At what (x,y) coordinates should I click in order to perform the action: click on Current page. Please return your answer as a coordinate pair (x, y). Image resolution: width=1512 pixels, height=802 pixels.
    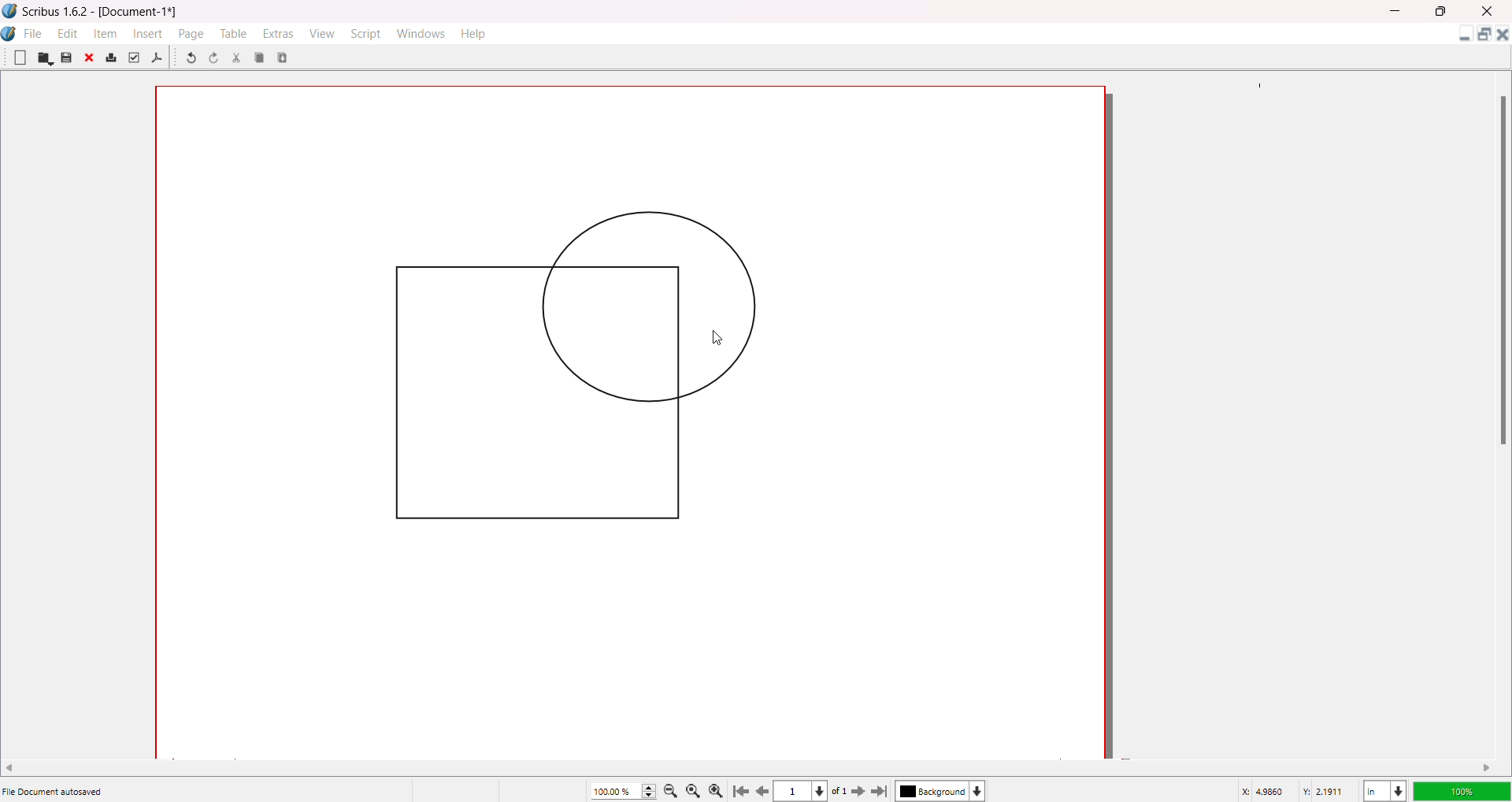
    Looking at the image, I should click on (795, 792).